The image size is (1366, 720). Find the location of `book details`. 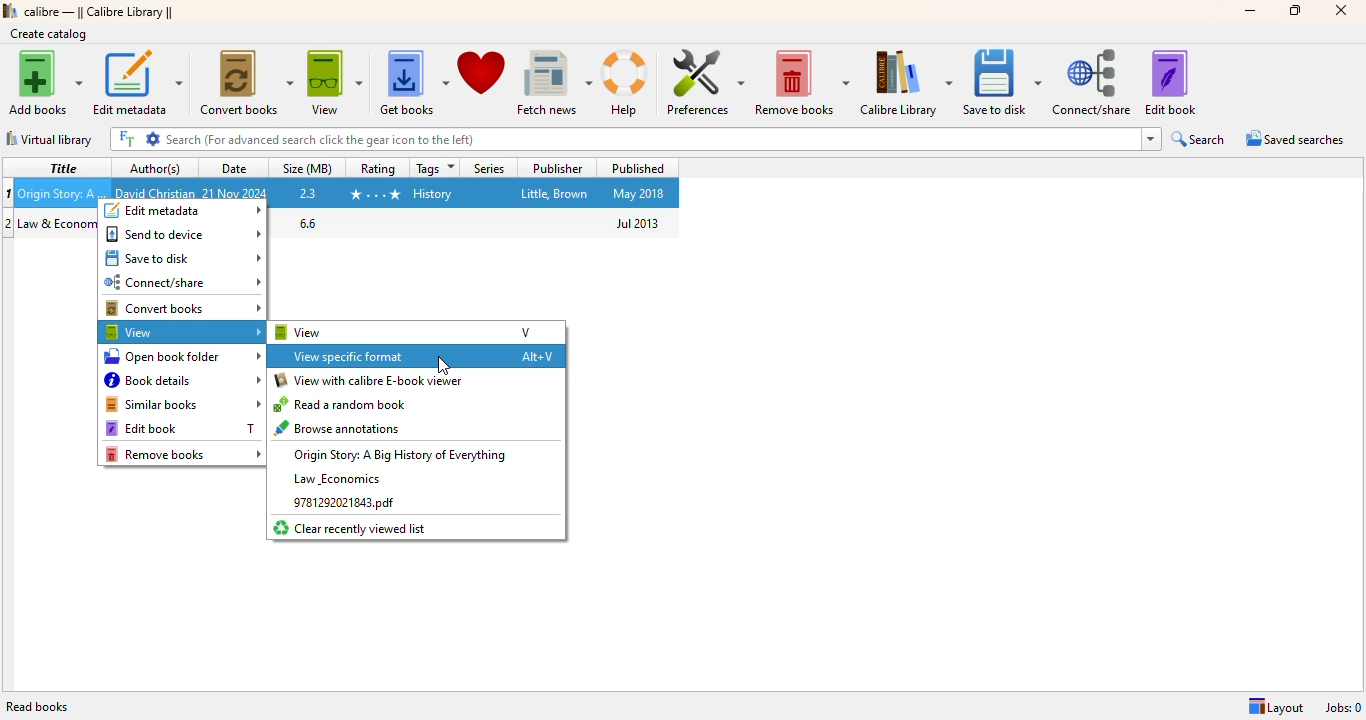

book details is located at coordinates (182, 380).